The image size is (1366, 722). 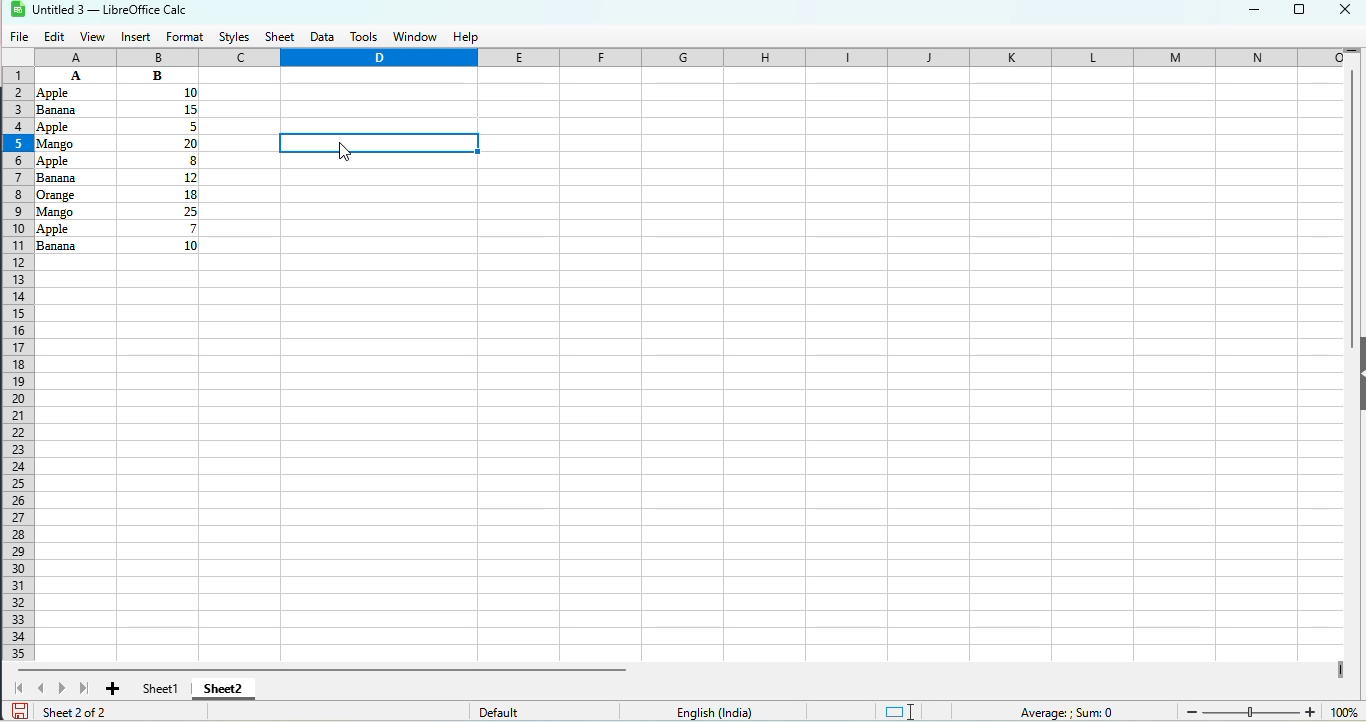 What do you see at coordinates (224, 688) in the screenshot?
I see `sheet2` at bounding box center [224, 688].